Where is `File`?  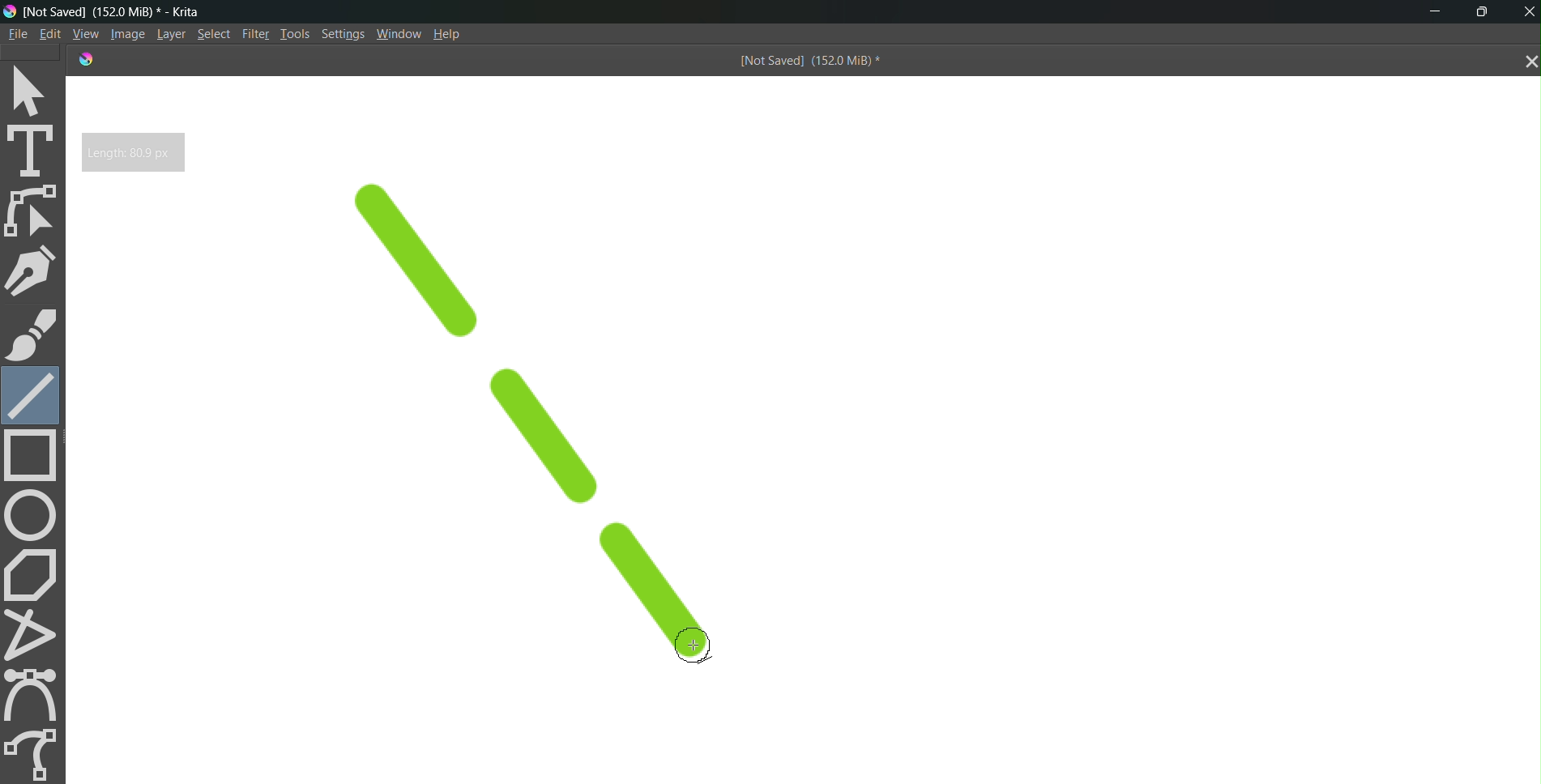 File is located at coordinates (16, 33).